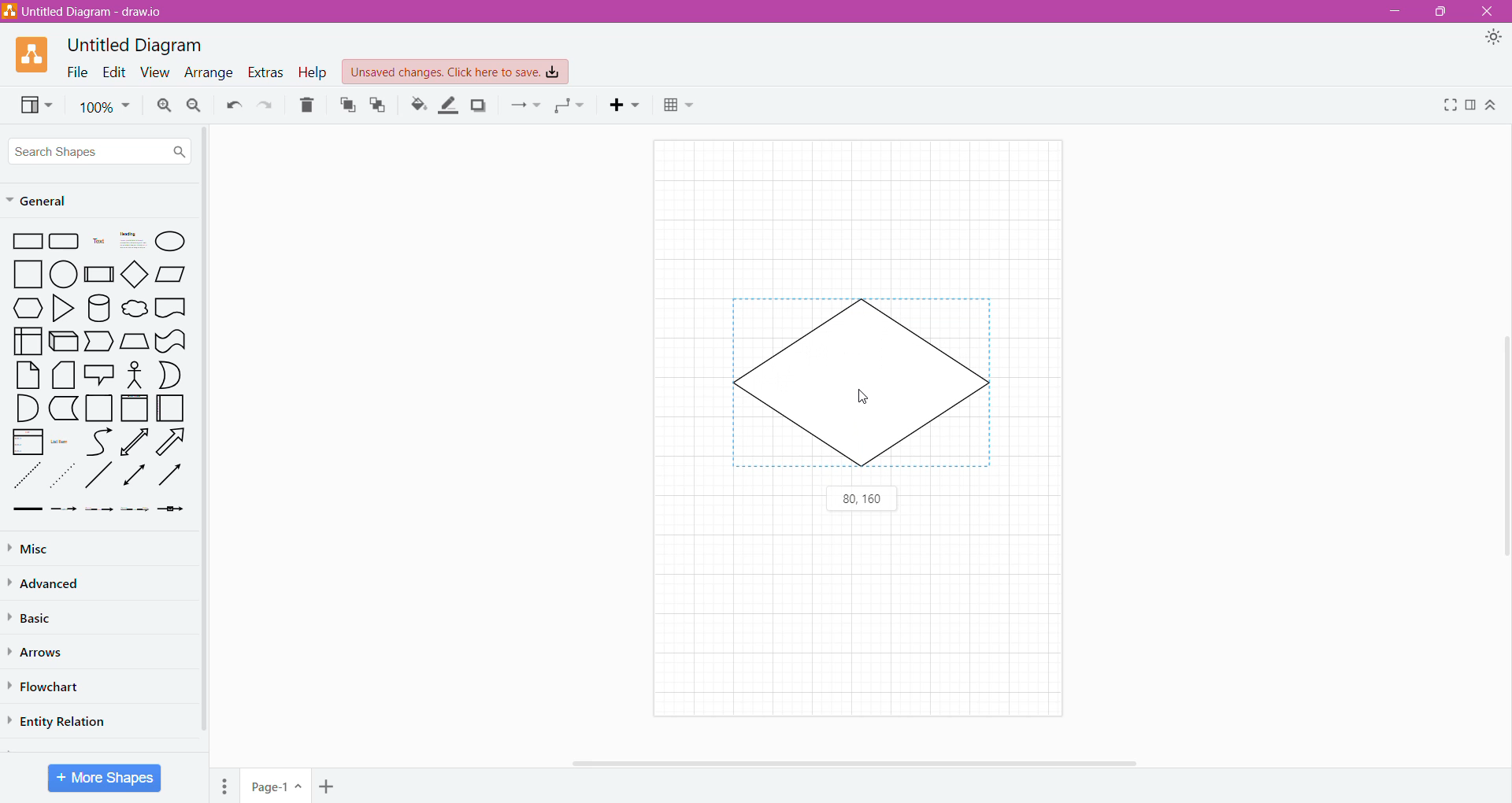  I want to click on Bidirectional Arrow, so click(135, 442).